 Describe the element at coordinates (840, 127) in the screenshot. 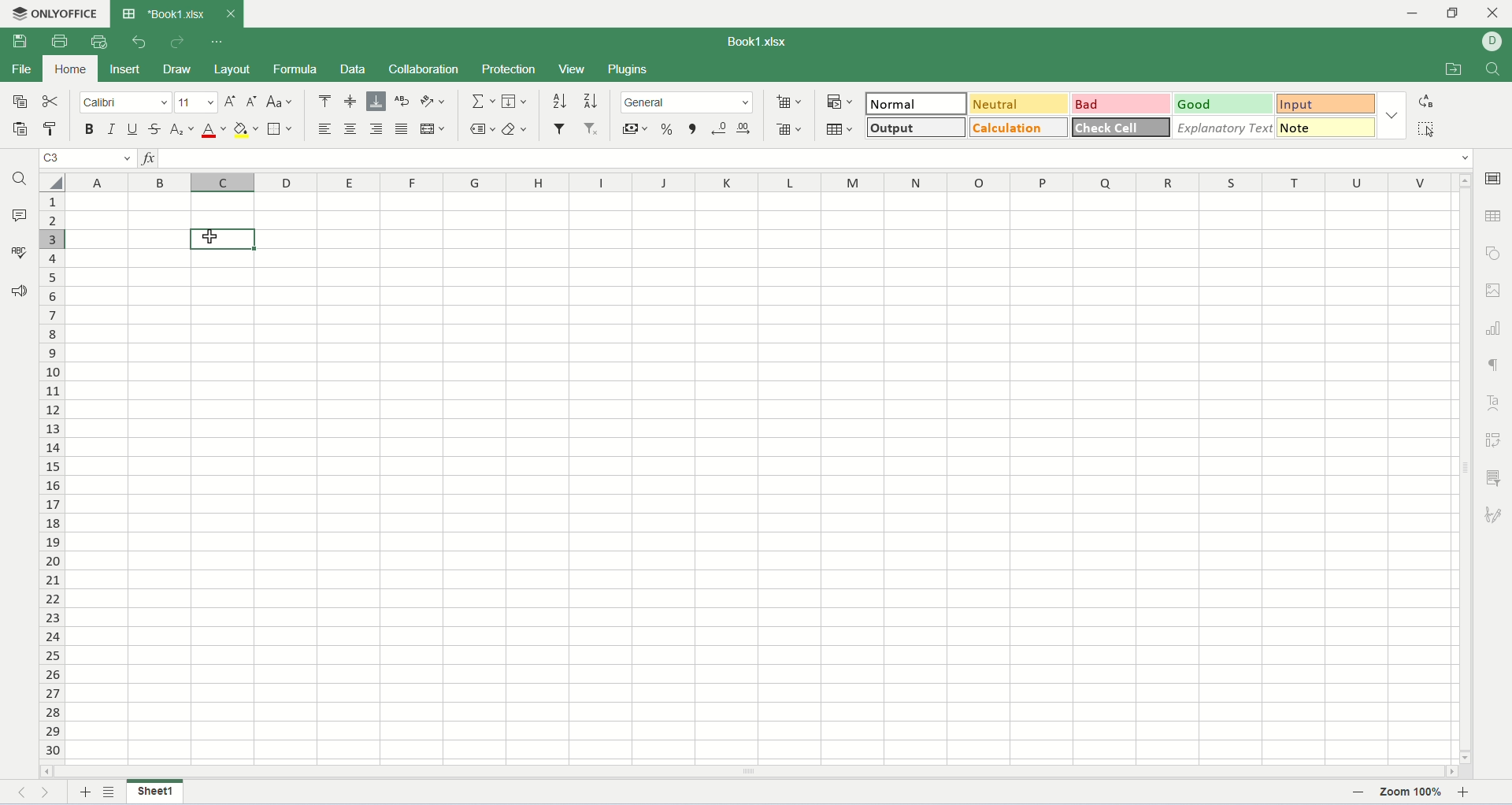

I see `table` at that location.